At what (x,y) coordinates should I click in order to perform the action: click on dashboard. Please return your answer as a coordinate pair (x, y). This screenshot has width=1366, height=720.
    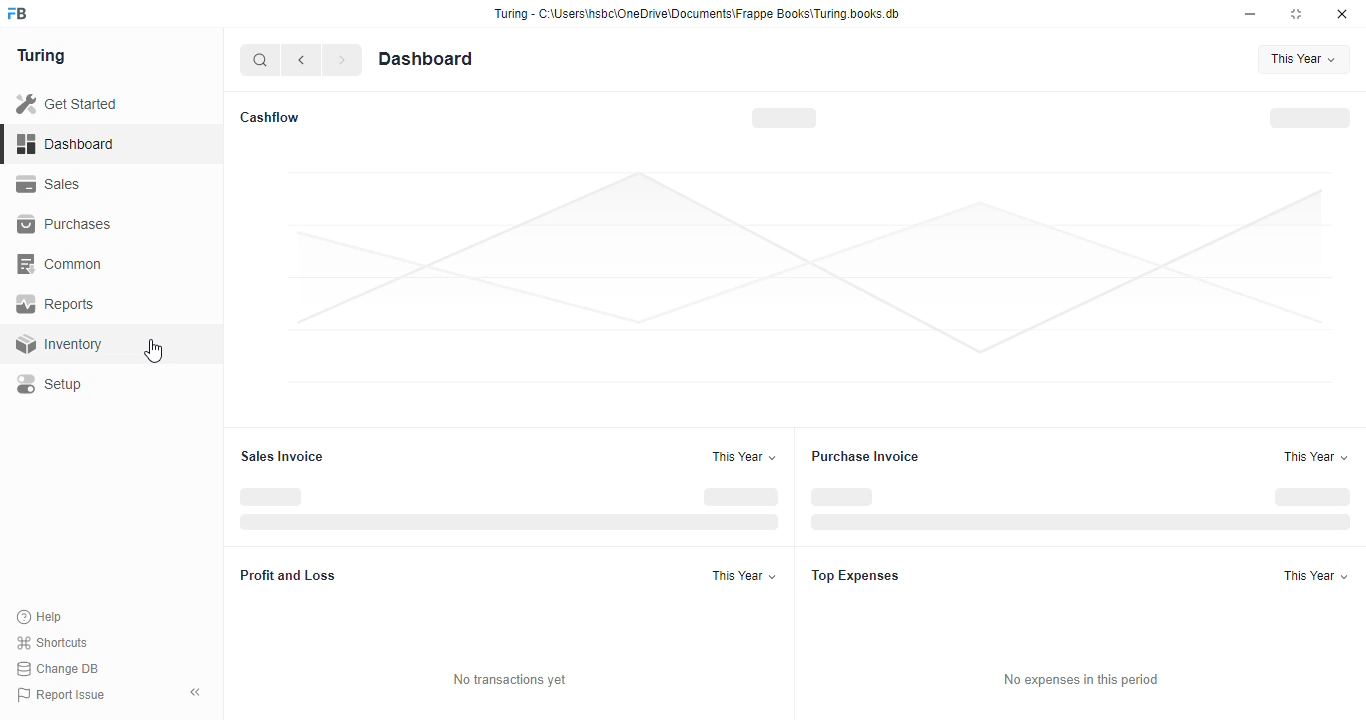
    Looking at the image, I should click on (65, 145).